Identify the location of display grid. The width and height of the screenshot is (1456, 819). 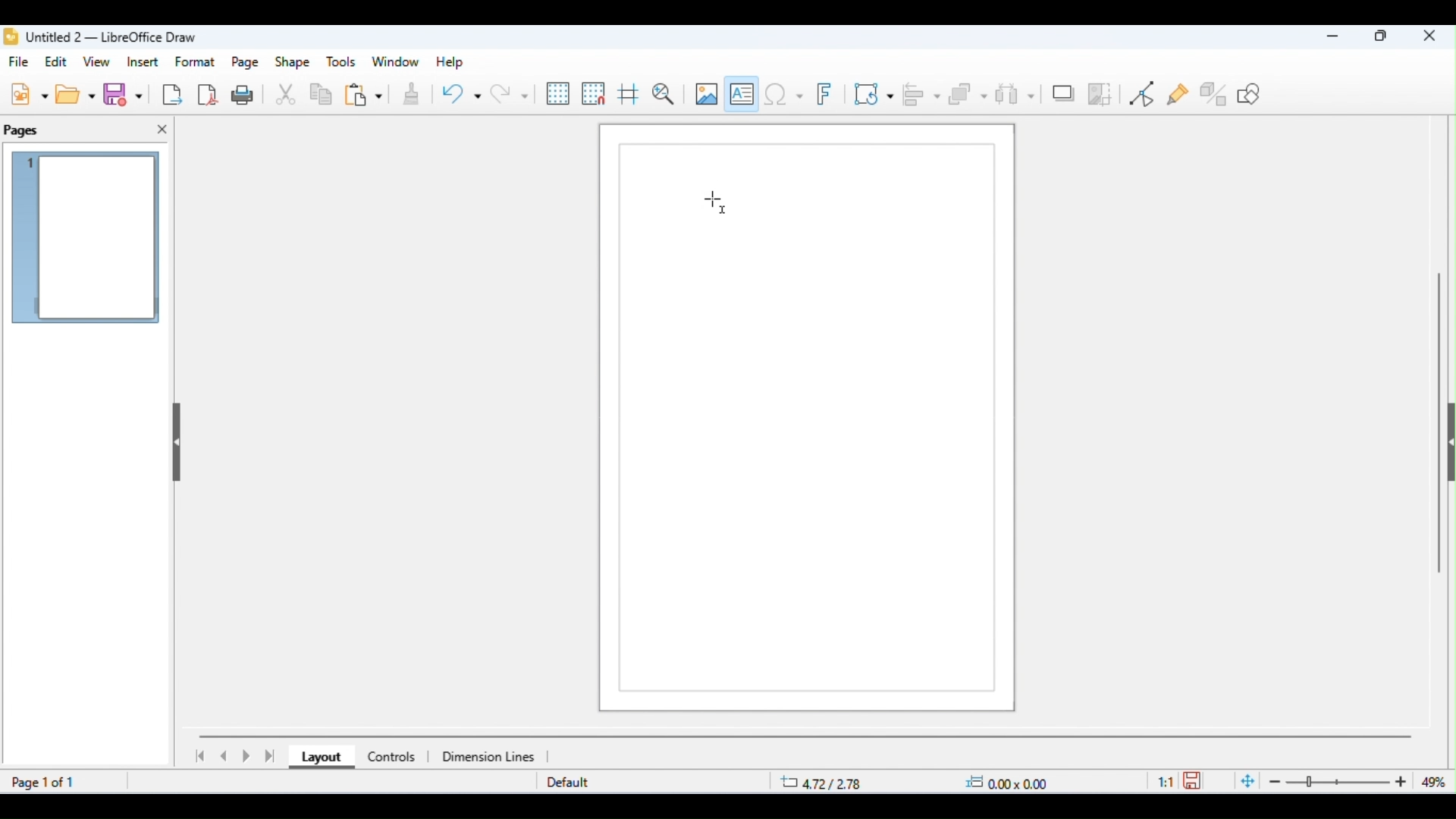
(559, 94).